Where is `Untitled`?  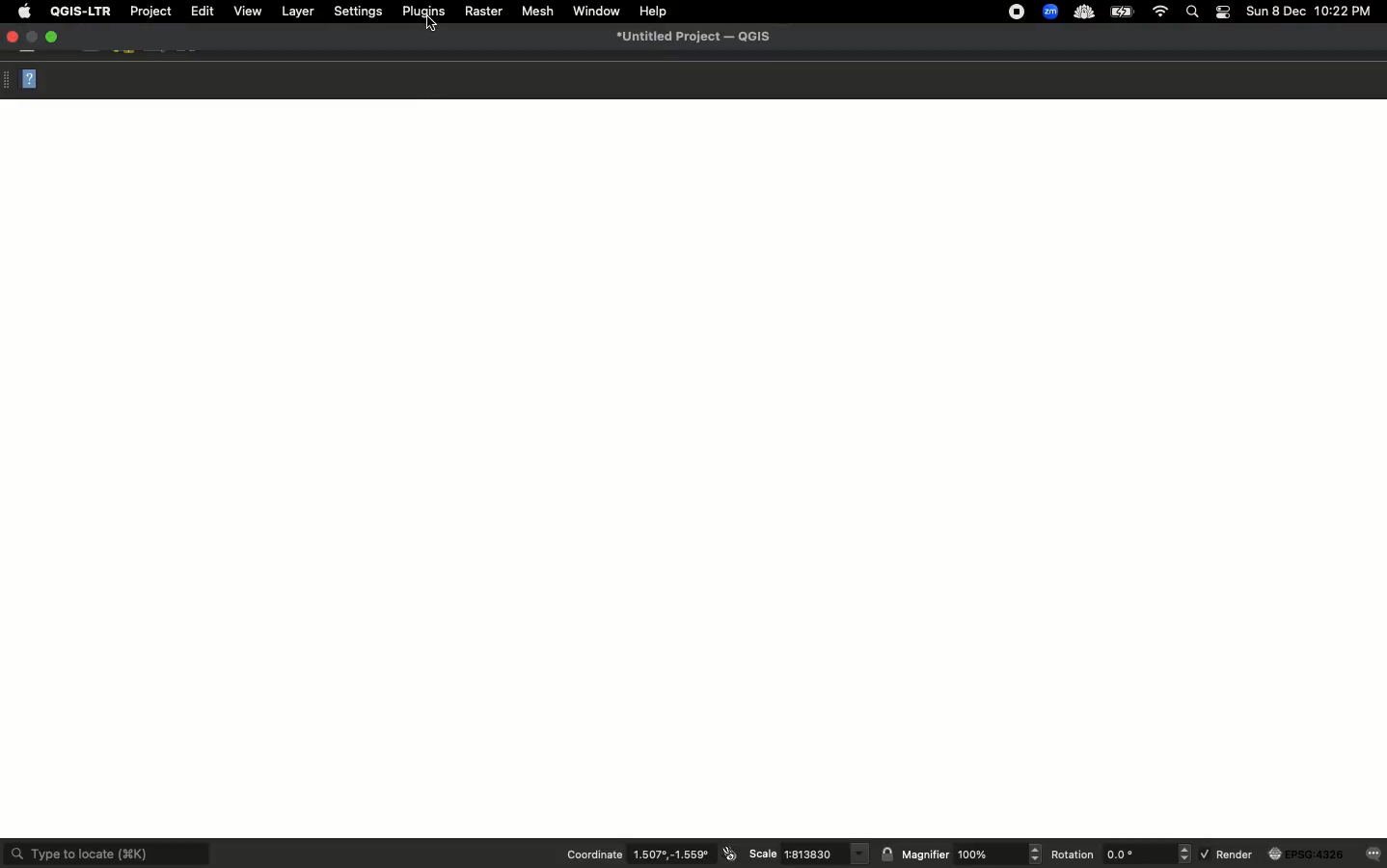 Untitled is located at coordinates (693, 36).